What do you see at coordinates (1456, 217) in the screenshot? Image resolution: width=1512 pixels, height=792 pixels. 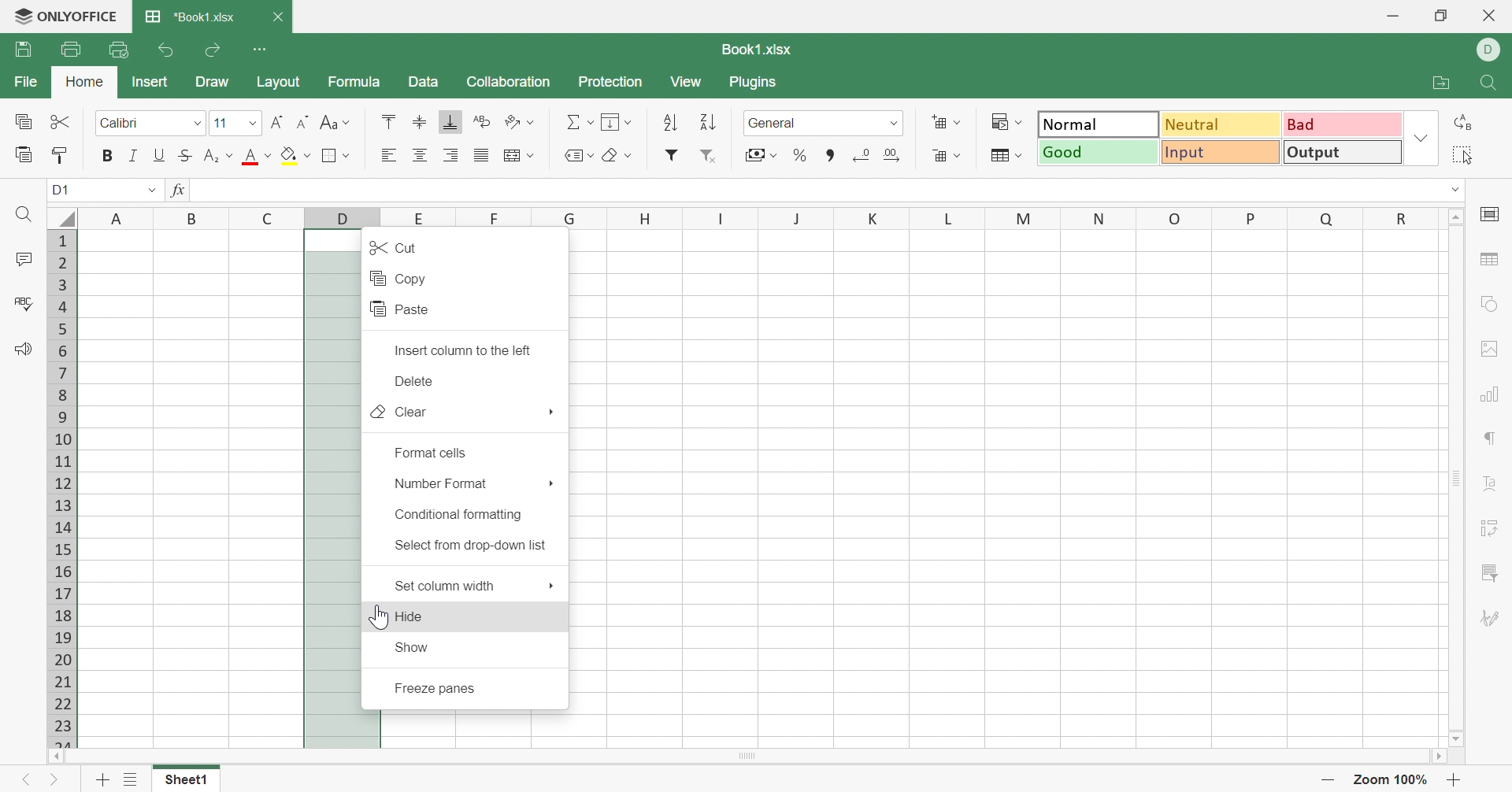 I see `Scroll Up` at bounding box center [1456, 217].